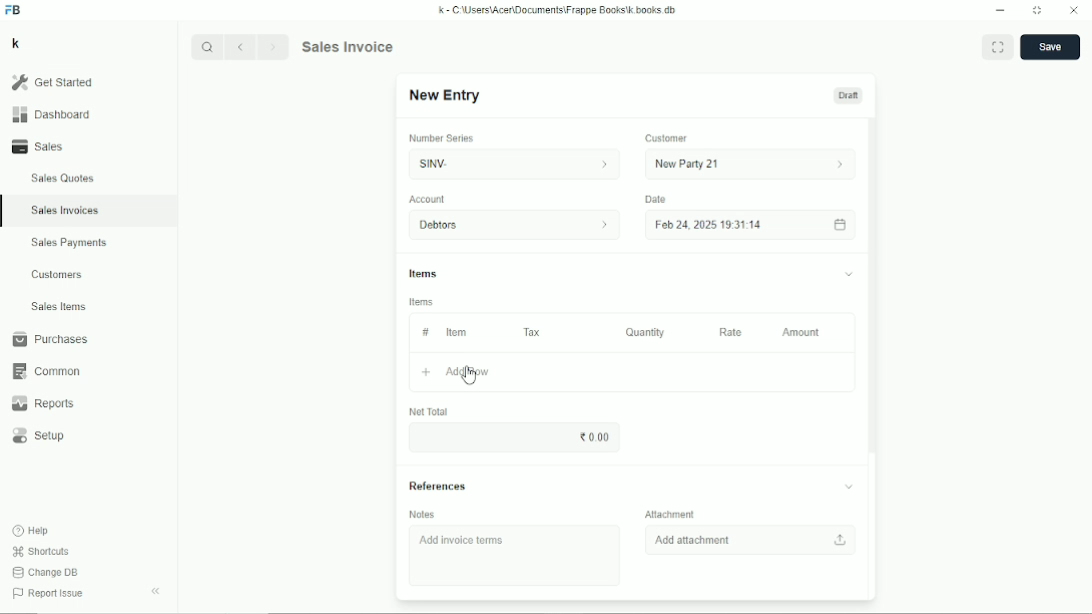 The width and height of the screenshot is (1092, 614). What do you see at coordinates (442, 138) in the screenshot?
I see `Number series` at bounding box center [442, 138].